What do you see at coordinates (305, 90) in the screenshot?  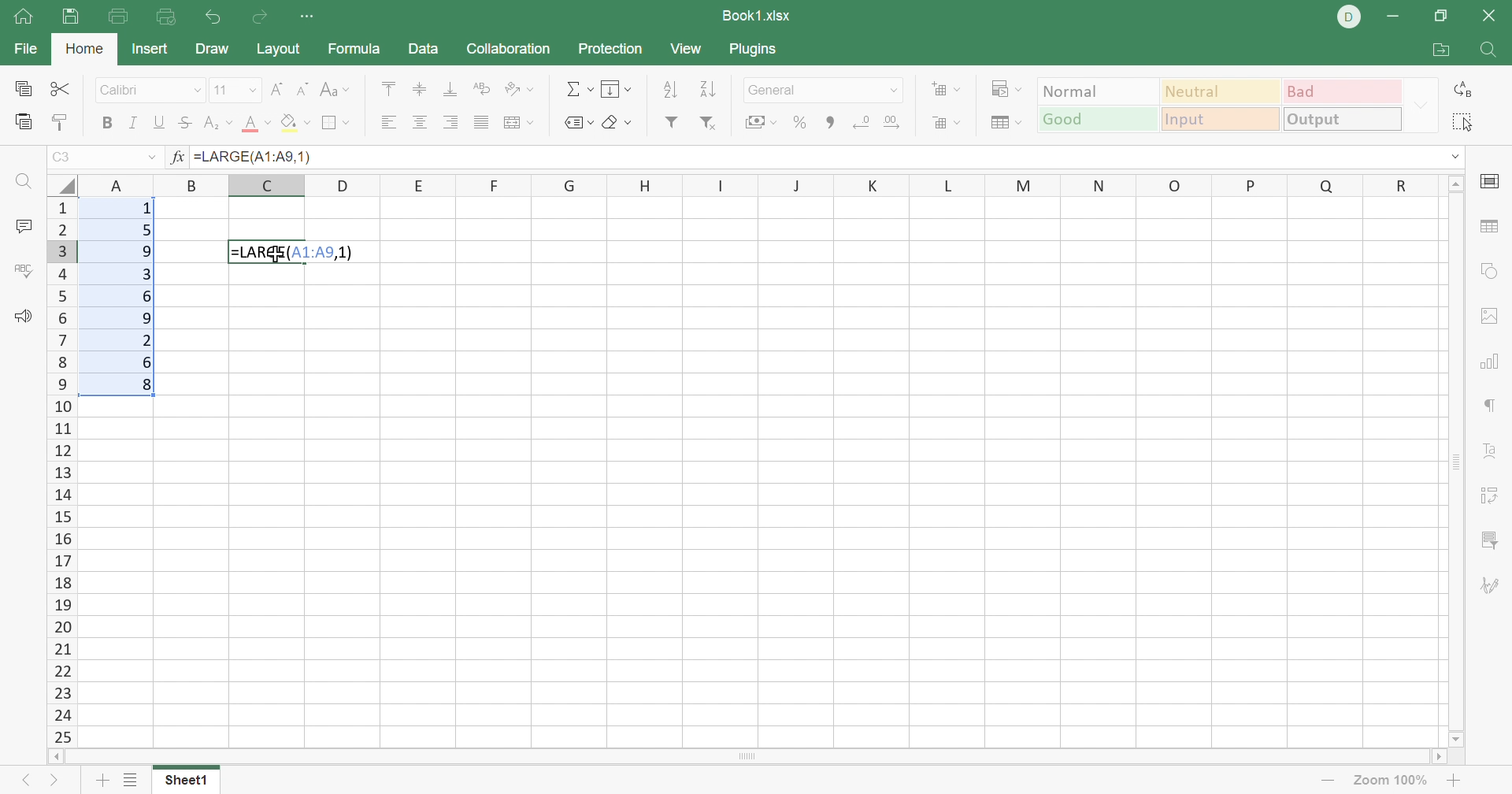 I see `Decrement font size` at bounding box center [305, 90].